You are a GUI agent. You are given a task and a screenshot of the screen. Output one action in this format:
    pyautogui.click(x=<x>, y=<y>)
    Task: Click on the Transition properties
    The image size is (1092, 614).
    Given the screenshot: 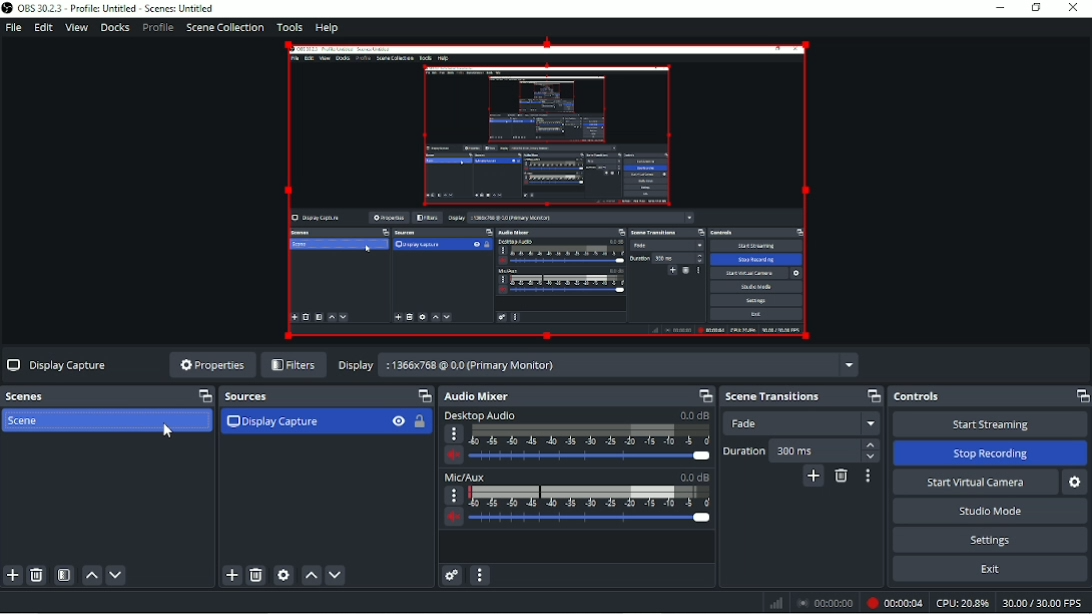 What is the action you would take?
    pyautogui.click(x=868, y=476)
    